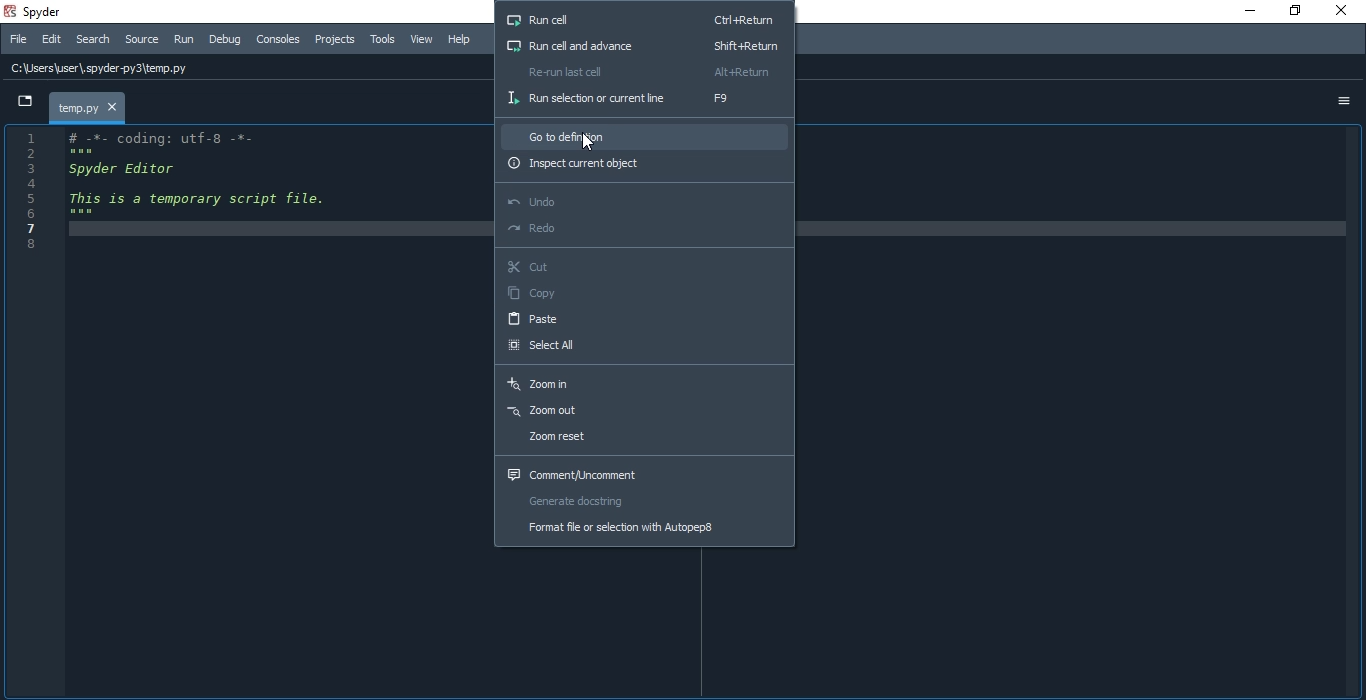 The height and width of the screenshot is (700, 1366). Describe the element at coordinates (107, 71) in the screenshot. I see `C:\Users\user\, spyder py3\temp.py` at that location.